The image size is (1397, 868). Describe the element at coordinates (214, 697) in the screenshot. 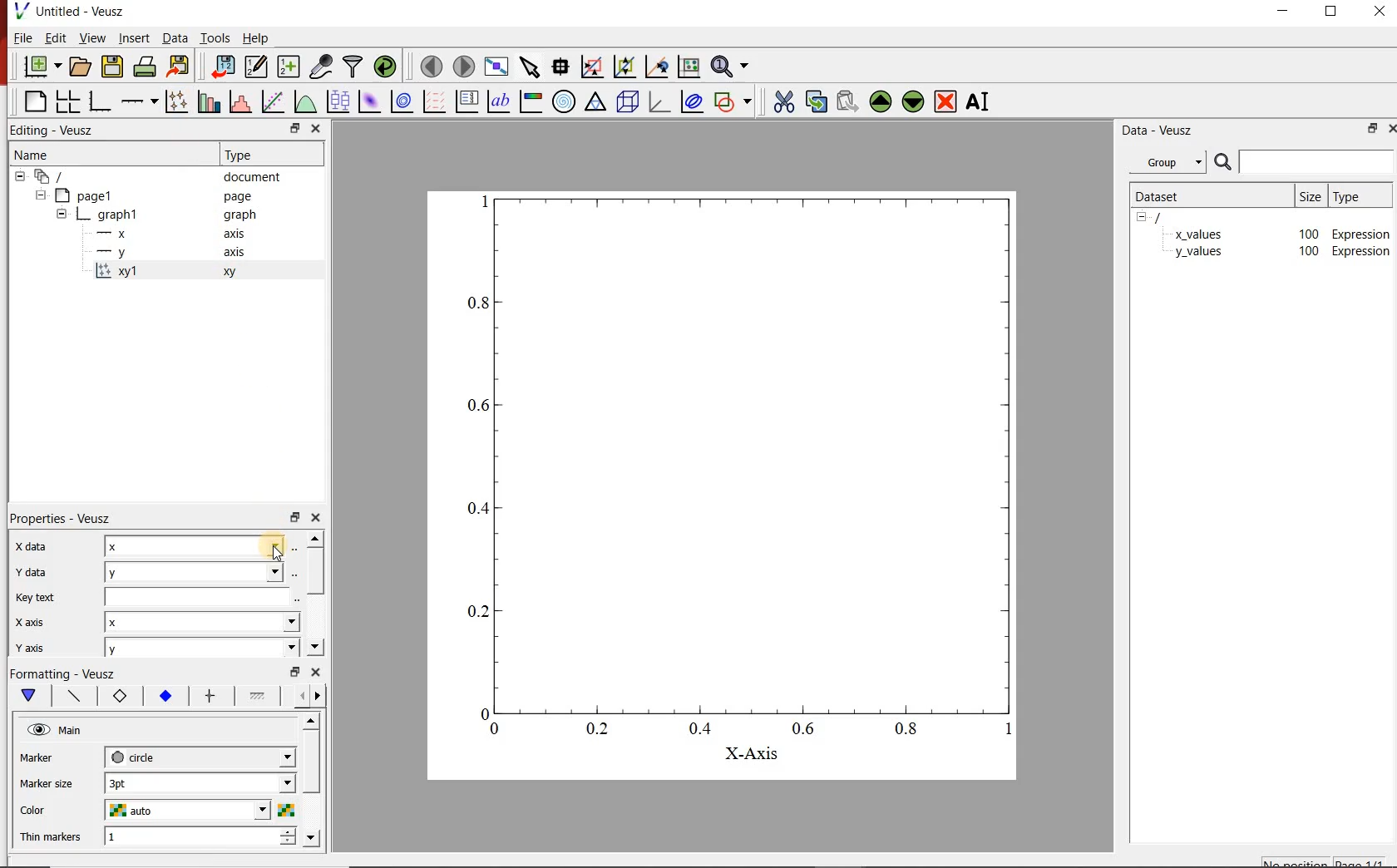

I see `error bar line` at that location.